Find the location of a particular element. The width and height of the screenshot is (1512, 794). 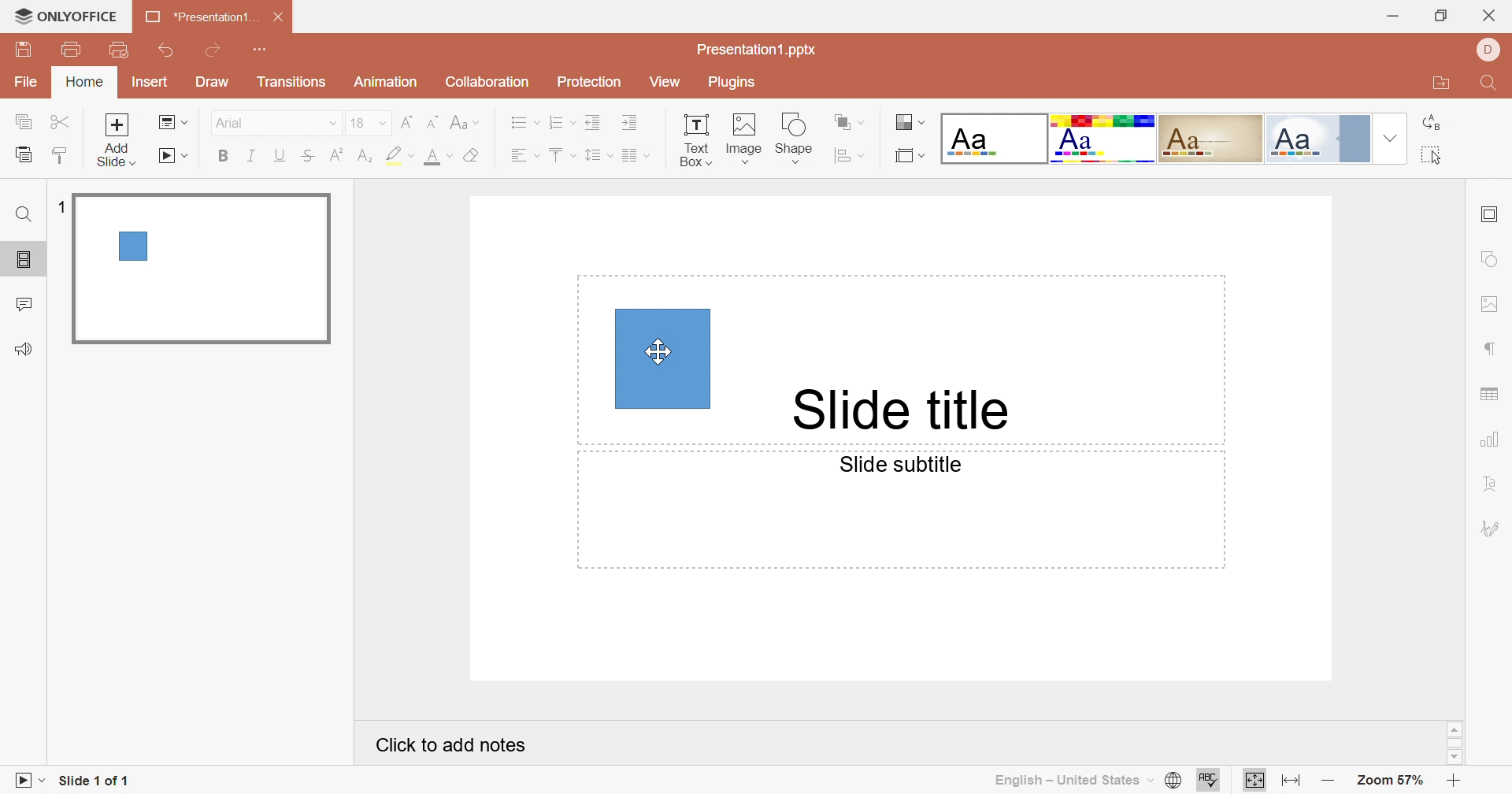

Cut is located at coordinates (63, 123).